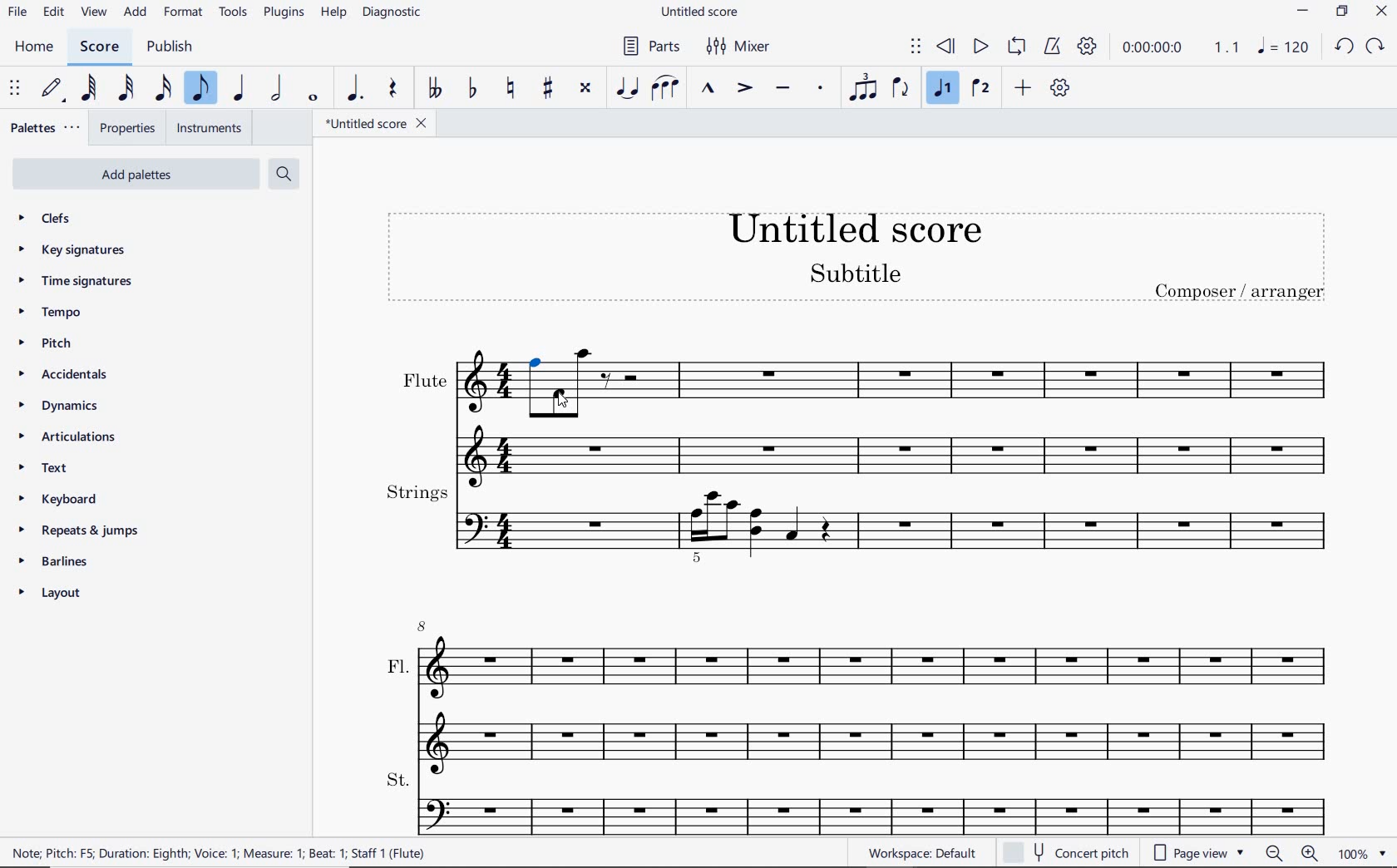 This screenshot has width=1397, height=868. Describe the element at coordinates (548, 87) in the screenshot. I see `TOGGLE SHARP` at that location.